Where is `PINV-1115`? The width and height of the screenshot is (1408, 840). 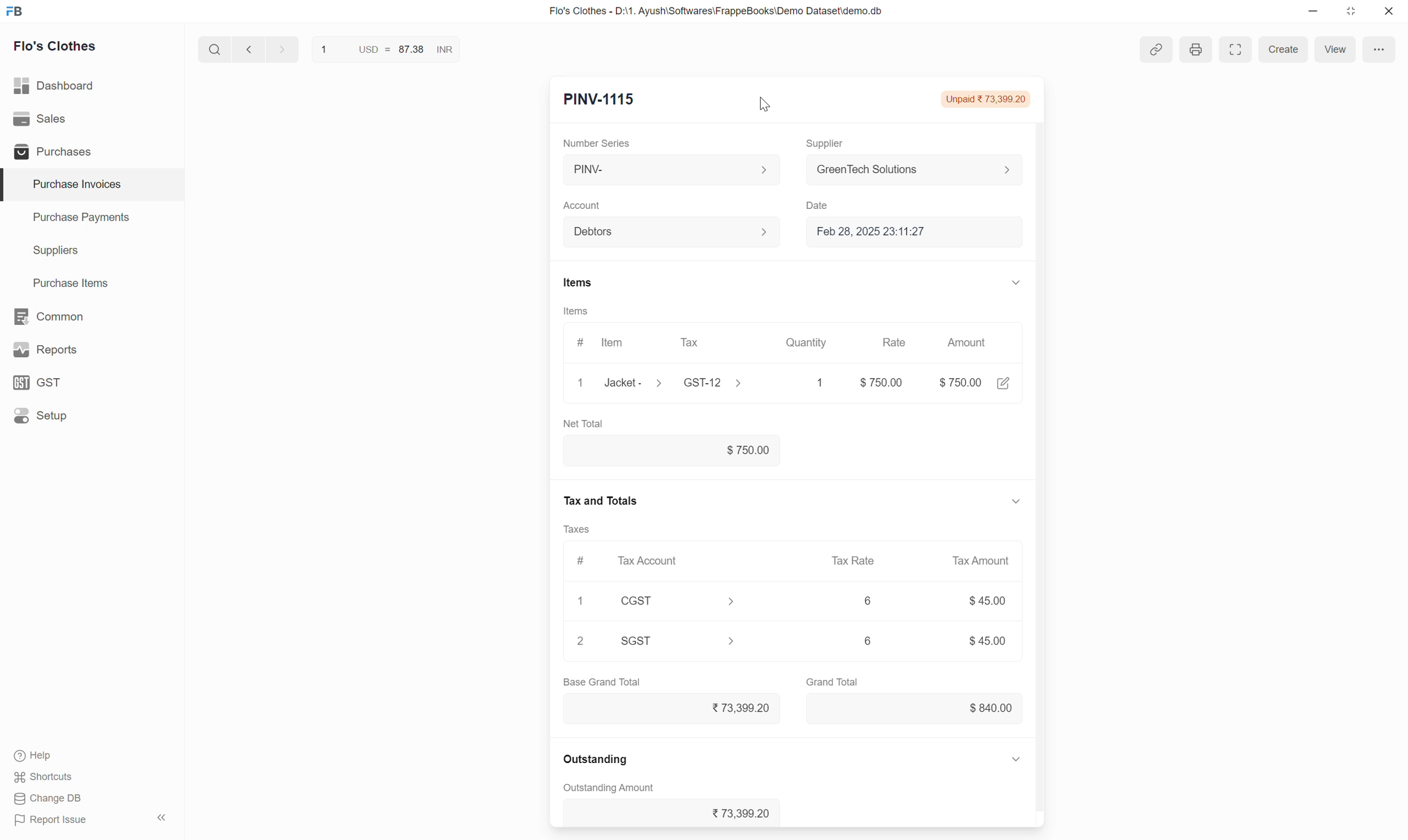 PINV-1115 is located at coordinates (600, 100).